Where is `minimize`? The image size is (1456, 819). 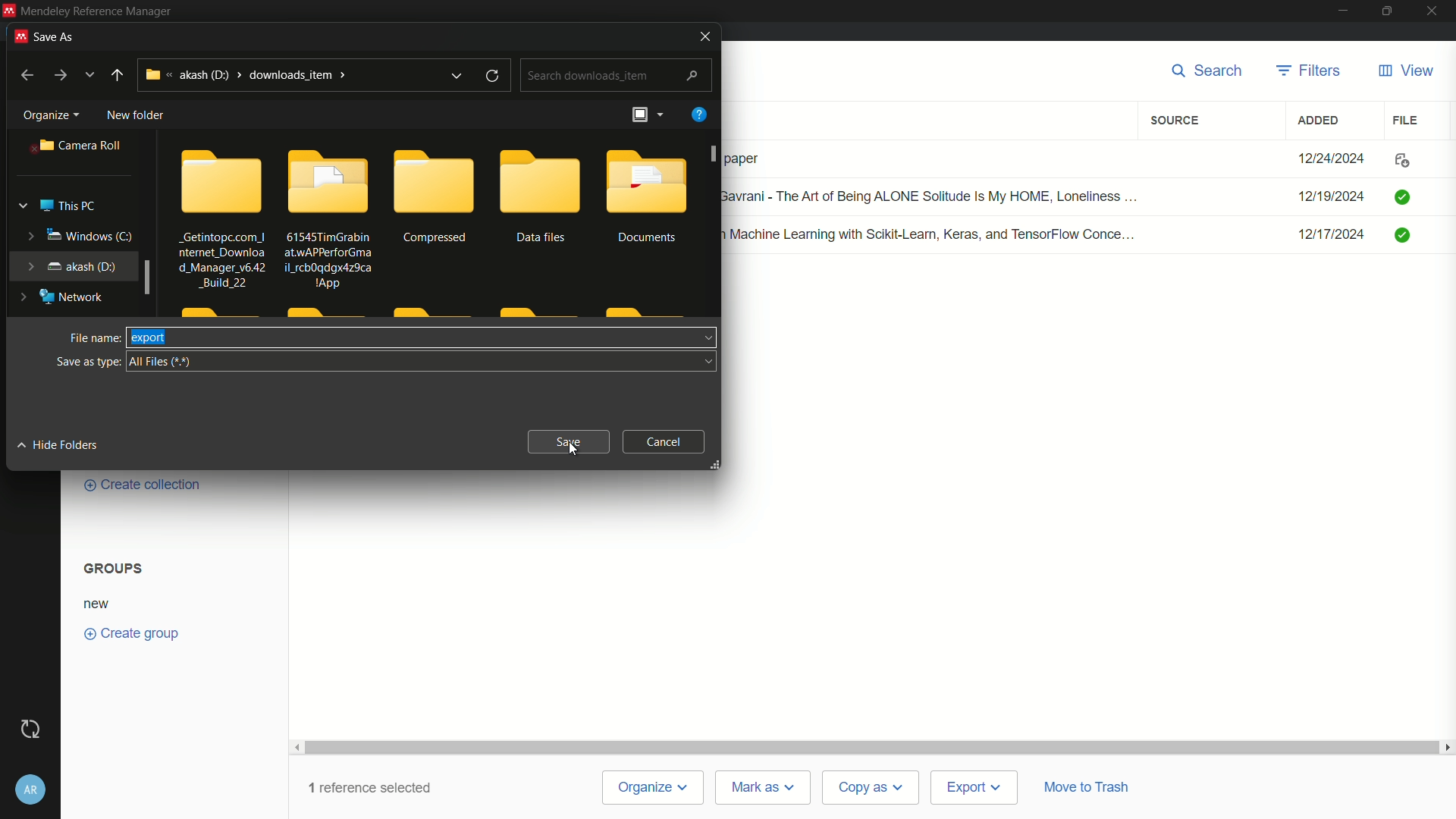 minimize is located at coordinates (1341, 9).